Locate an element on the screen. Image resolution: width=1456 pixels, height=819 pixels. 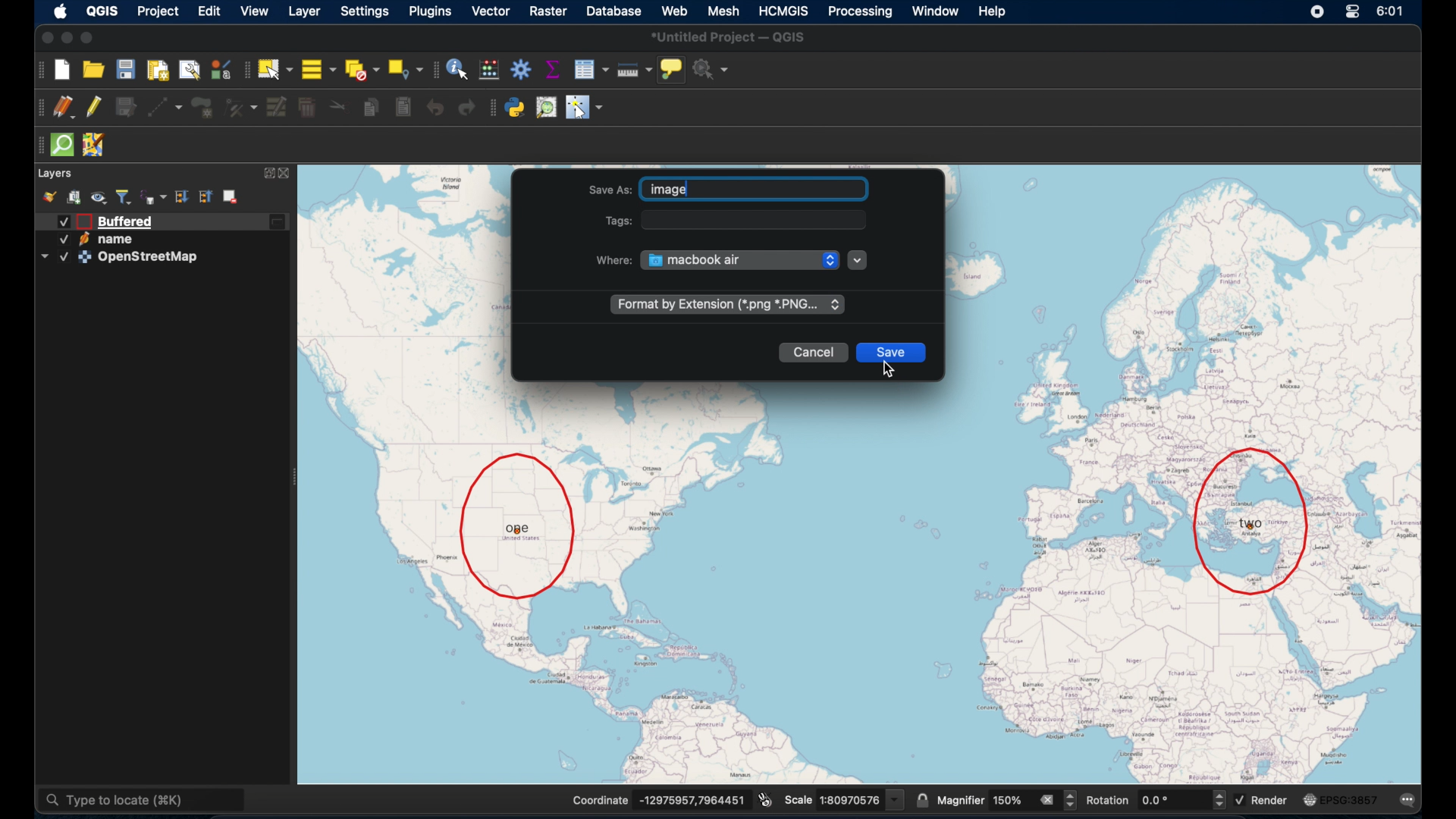
delete selected is located at coordinates (309, 106).